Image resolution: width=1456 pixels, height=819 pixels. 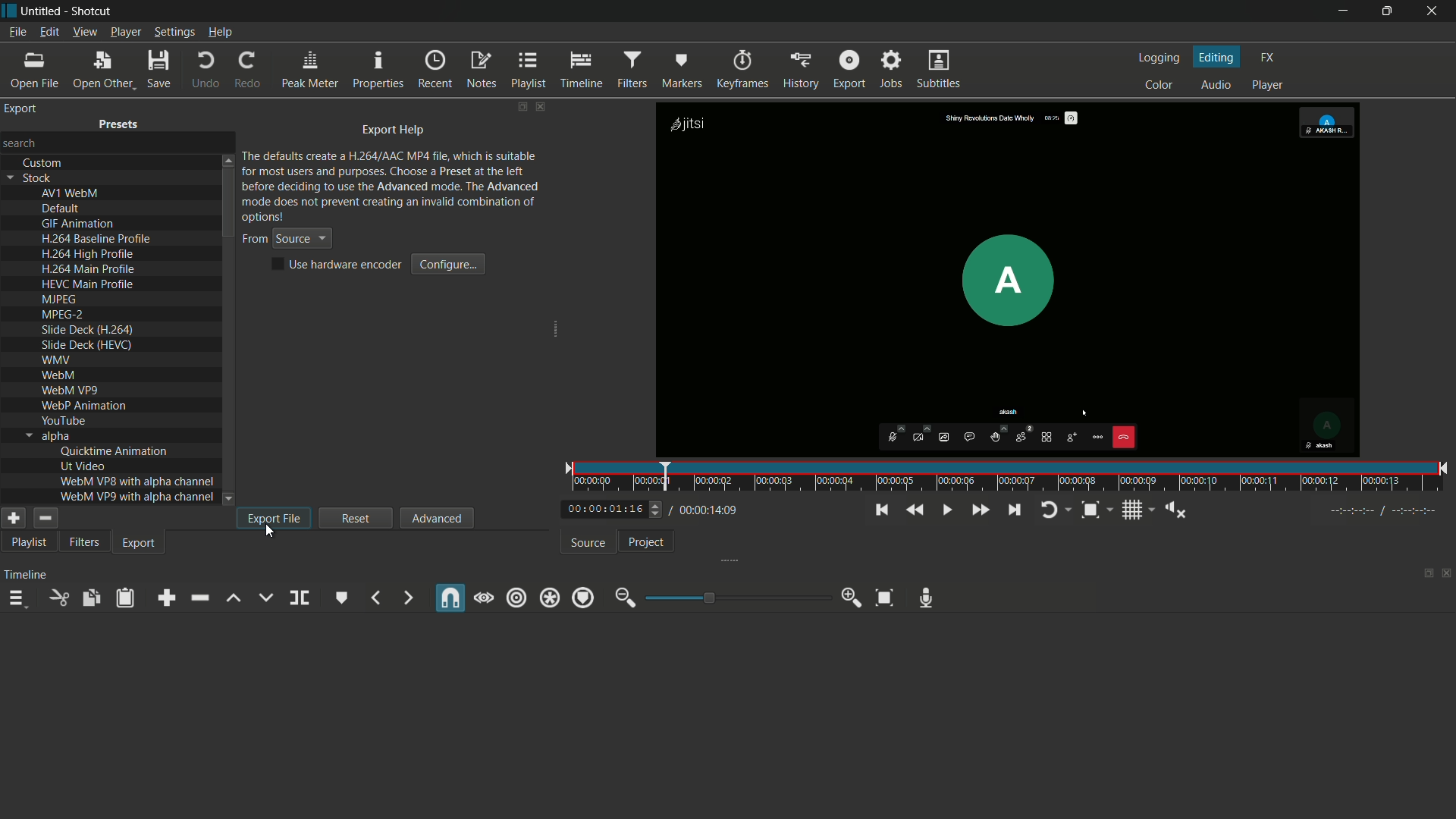 What do you see at coordinates (979, 510) in the screenshot?
I see `play quickly forward` at bounding box center [979, 510].